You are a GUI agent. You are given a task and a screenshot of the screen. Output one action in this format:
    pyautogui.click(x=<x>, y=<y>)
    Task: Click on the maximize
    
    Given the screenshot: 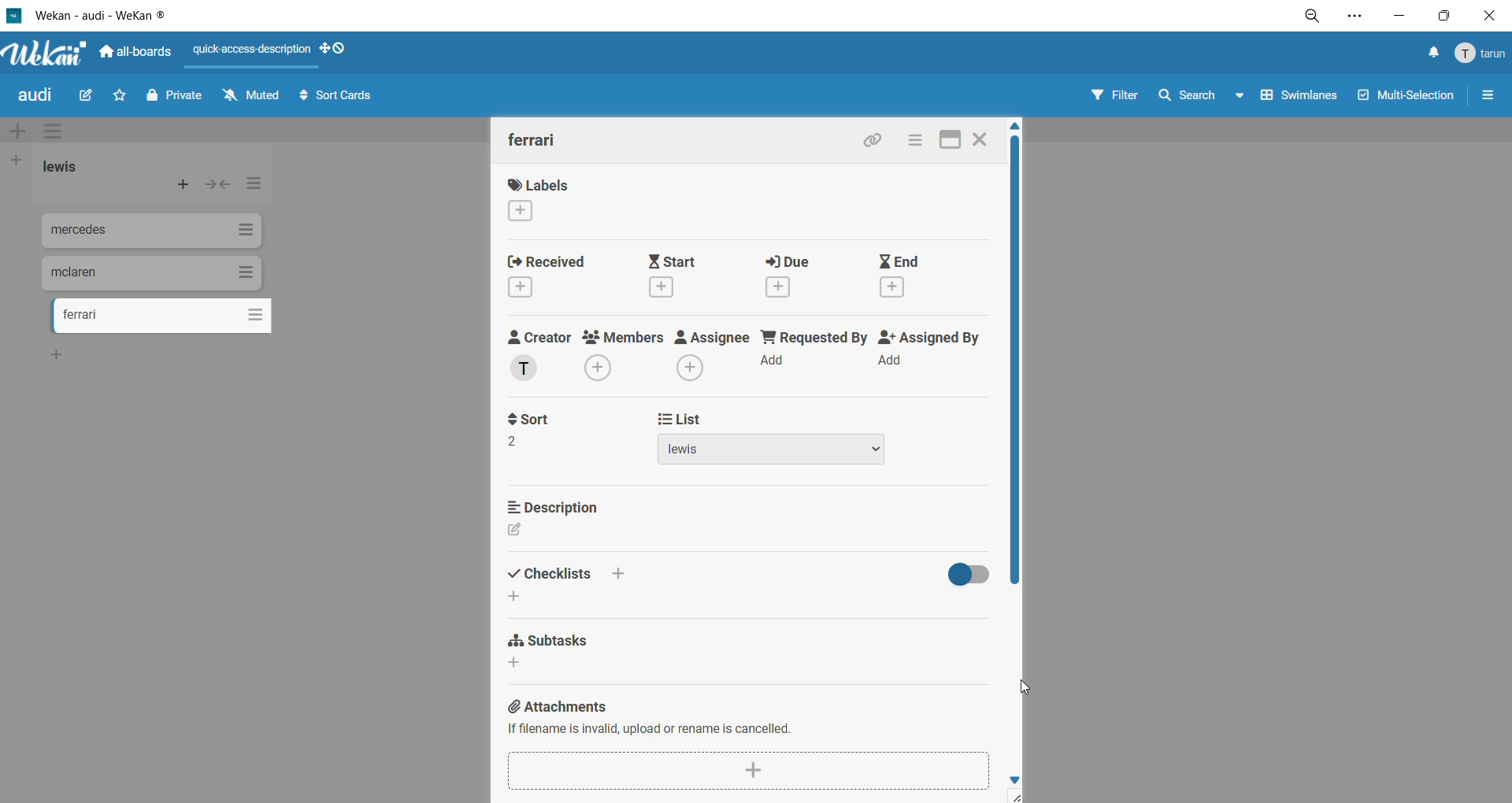 What is the action you would take?
    pyautogui.click(x=1440, y=18)
    